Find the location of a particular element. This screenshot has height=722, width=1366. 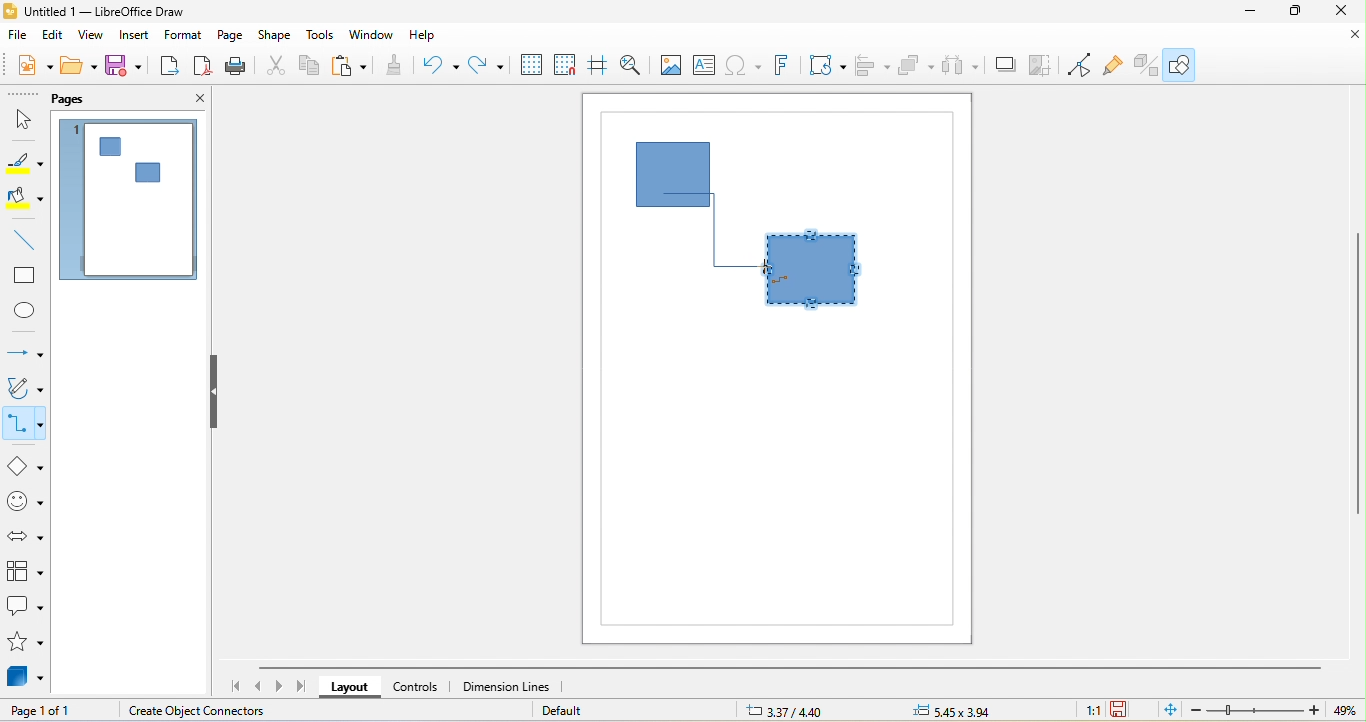

line color is located at coordinates (25, 162).